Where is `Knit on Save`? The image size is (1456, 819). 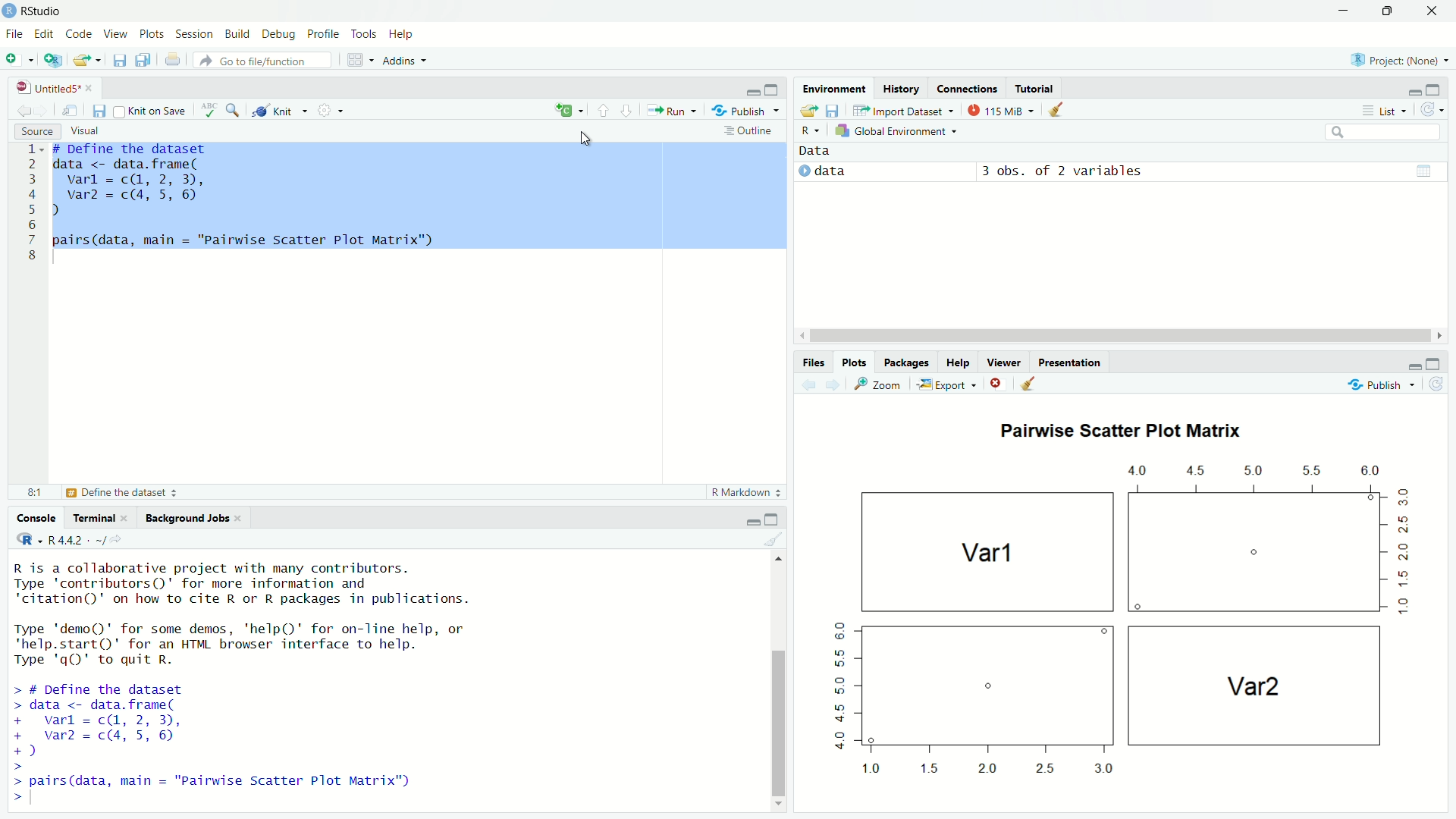 Knit on Save is located at coordinates (154, 110).